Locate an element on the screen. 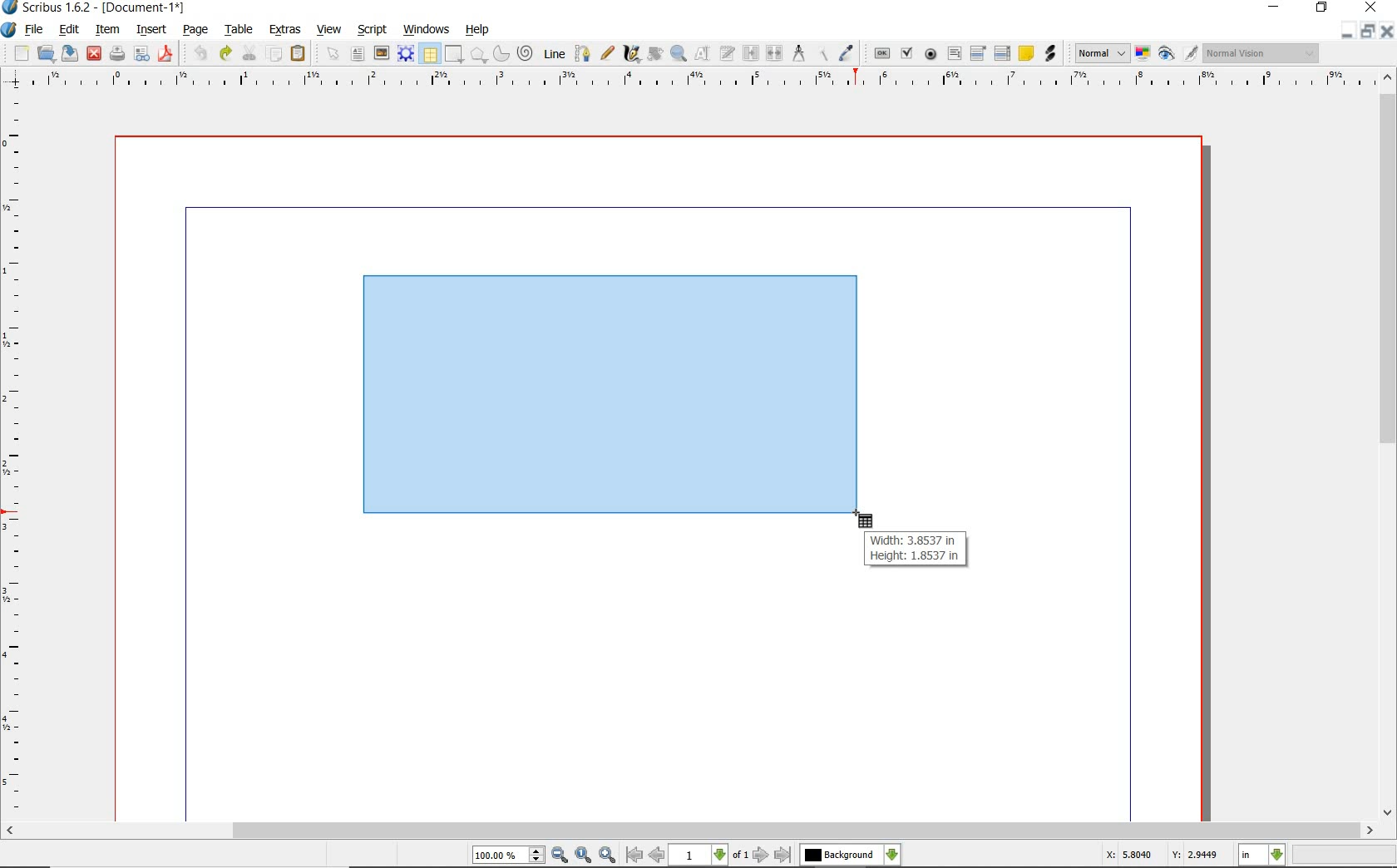  toggle color management system is located at coordinates (1144, 55).